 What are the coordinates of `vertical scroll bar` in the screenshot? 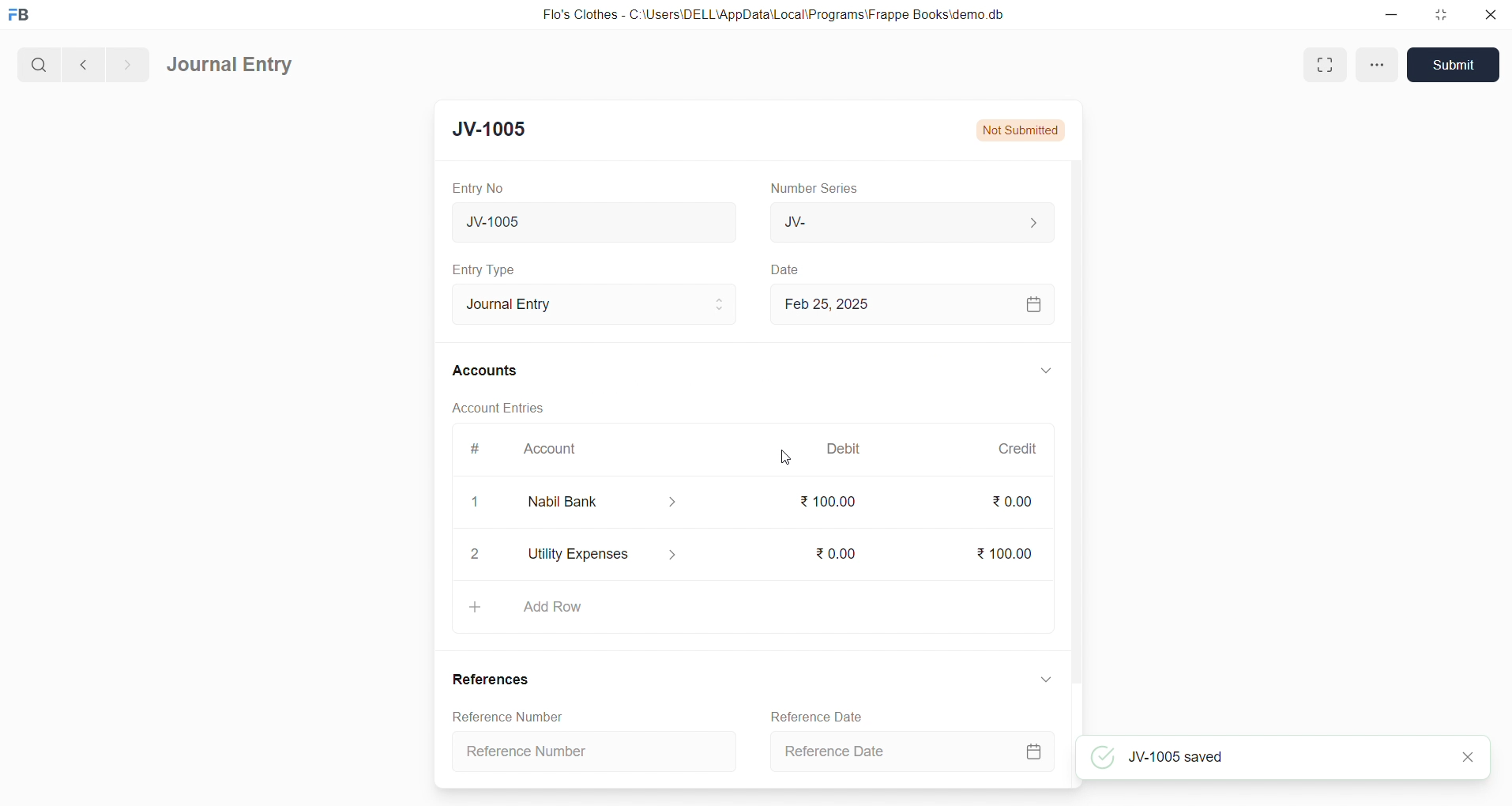 It's located at (1076, 472).